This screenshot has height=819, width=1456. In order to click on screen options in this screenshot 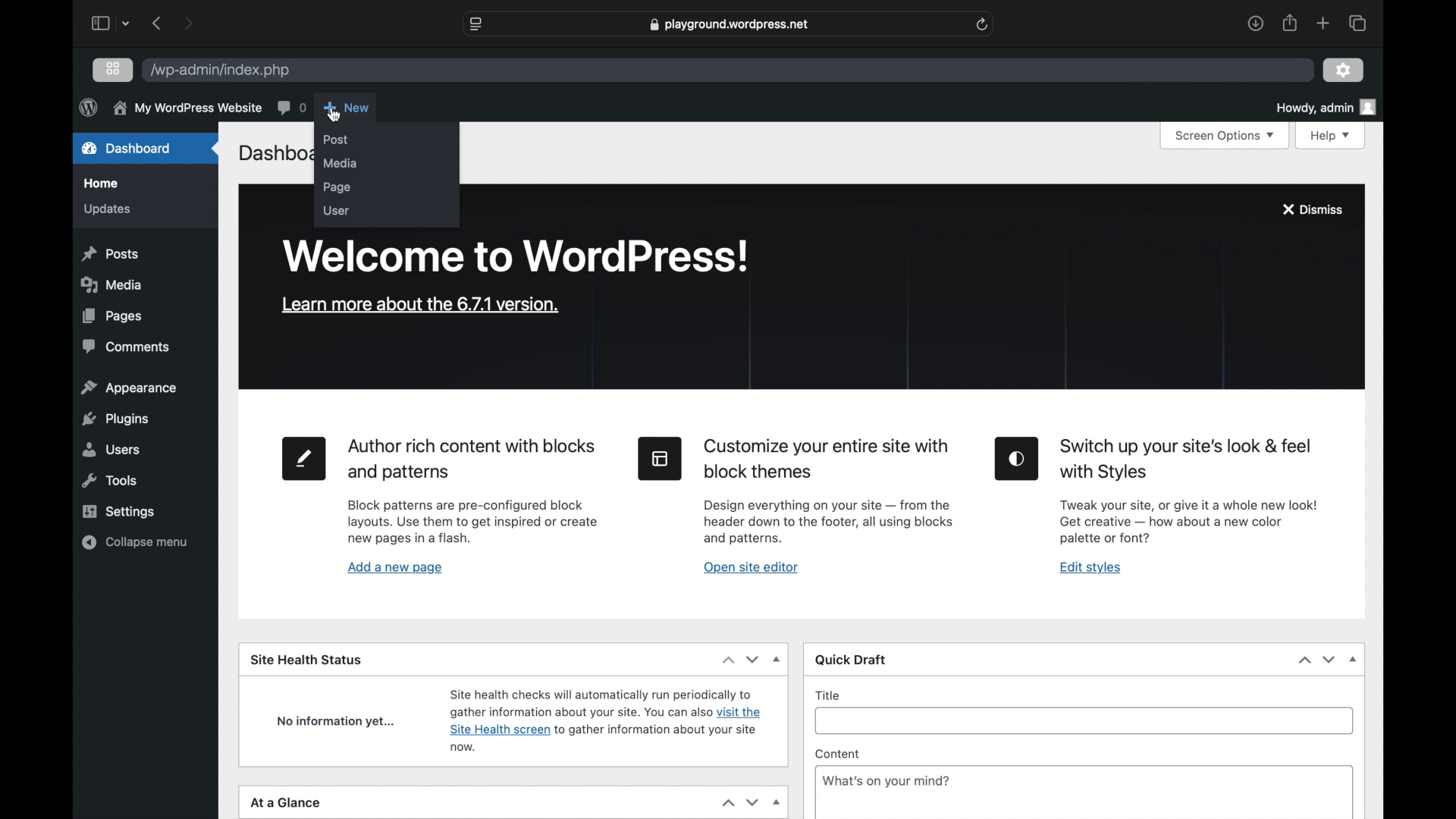, I will do `click(1225, 136)`.